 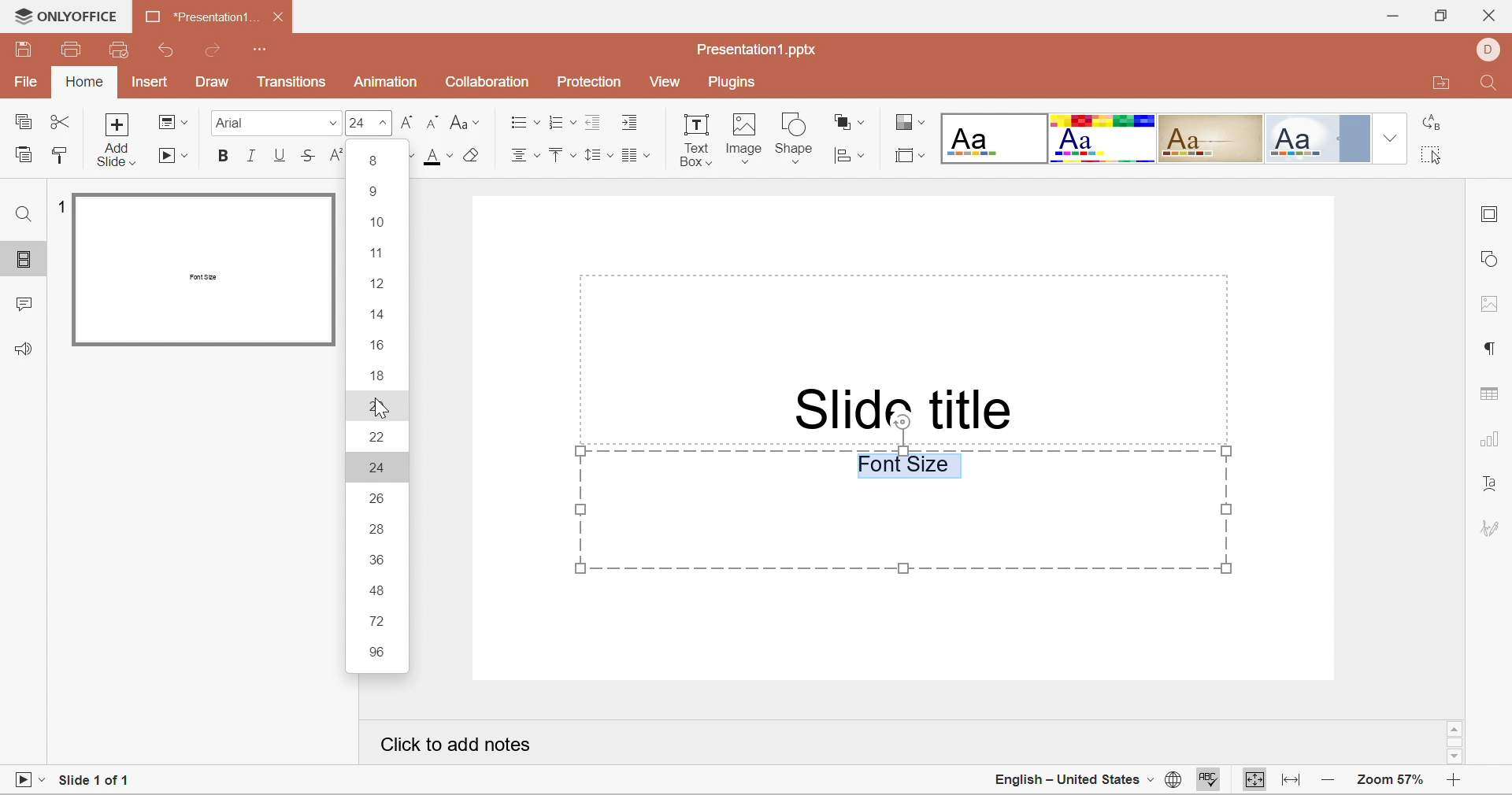 I want to click on Select all, so click(x=1429, y=154).